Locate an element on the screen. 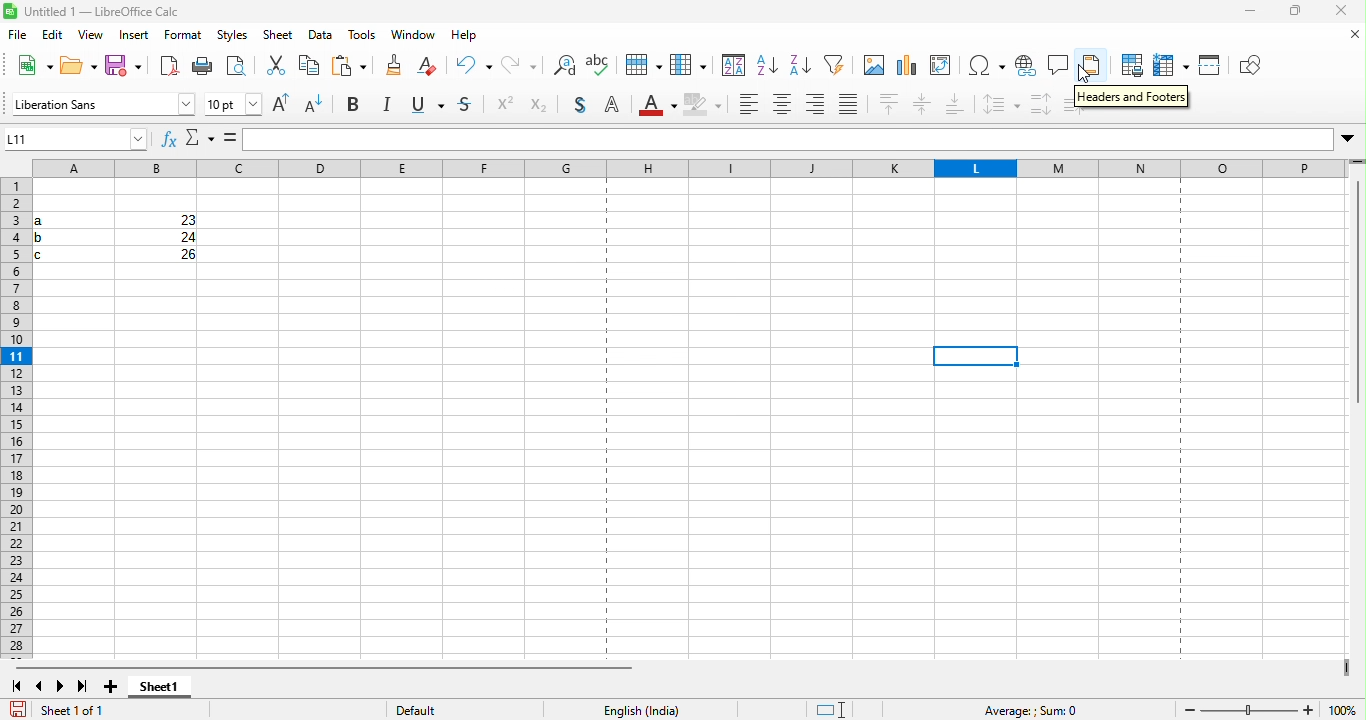 This screenshot has width=1366, height=720. window is located at coordinates (409, 38).